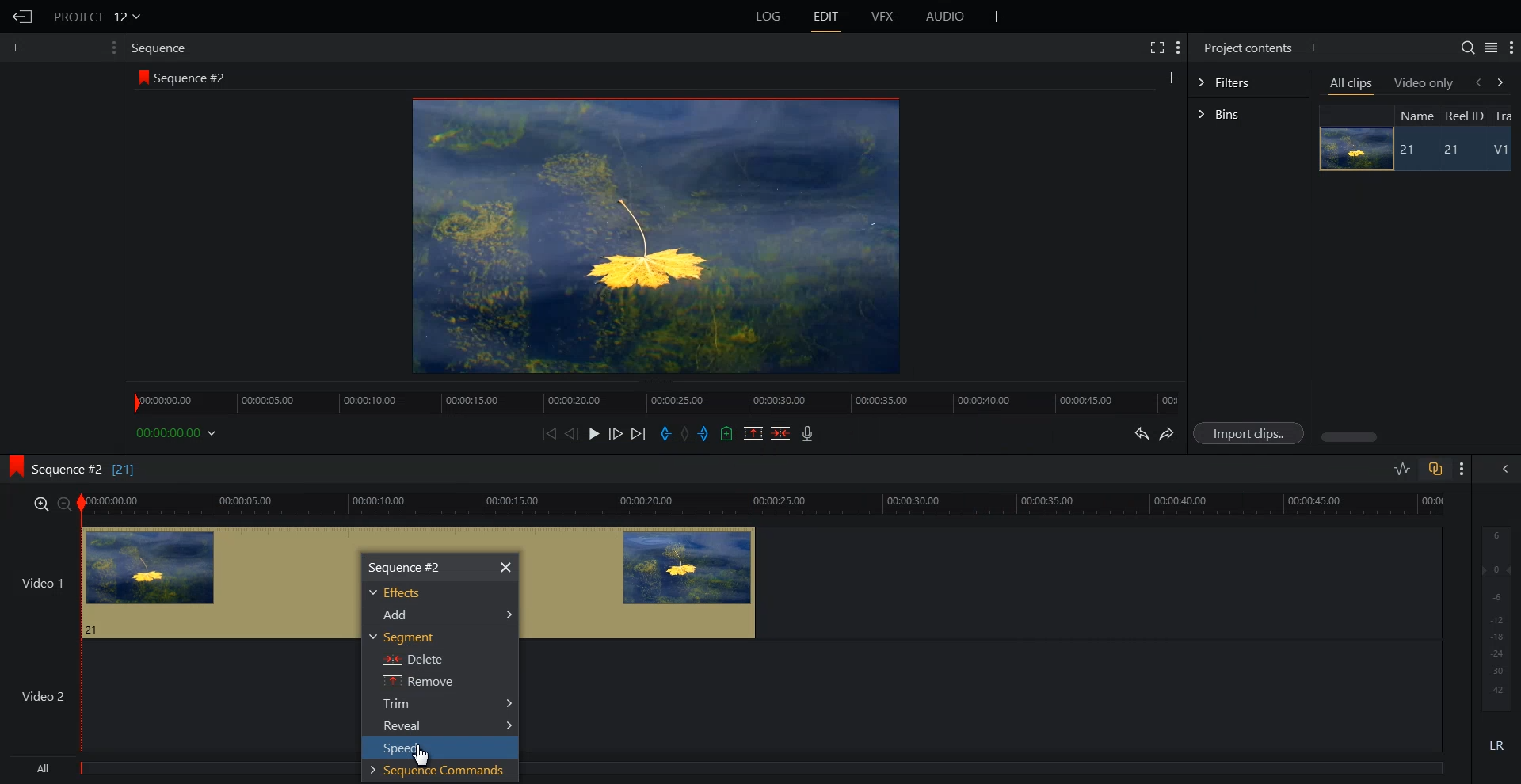 This screenshot has height=784, width=1521. Describe the element at coordinates (727, 433) in the screenshot. I see `Add an Cue in current position` at that location.